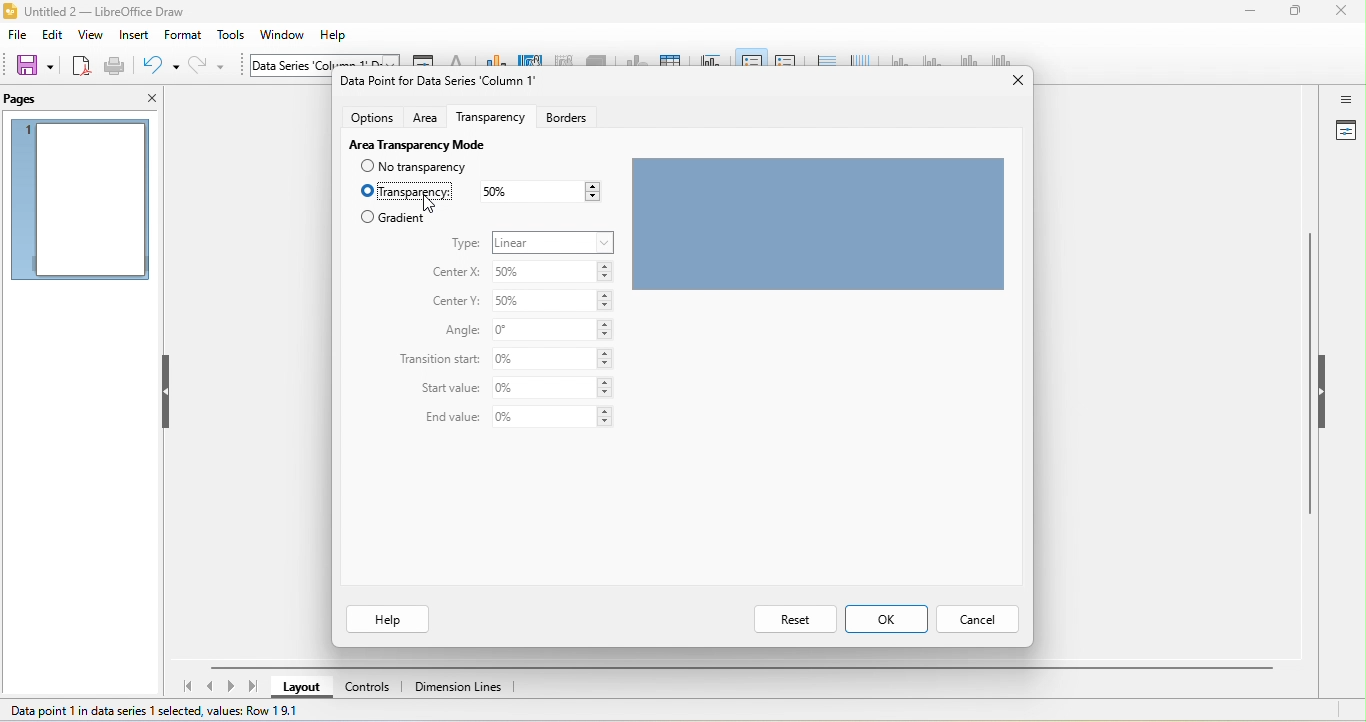 The width and height of the screenshot is (1366, 722). I want to click on center y, so click(453, 302).